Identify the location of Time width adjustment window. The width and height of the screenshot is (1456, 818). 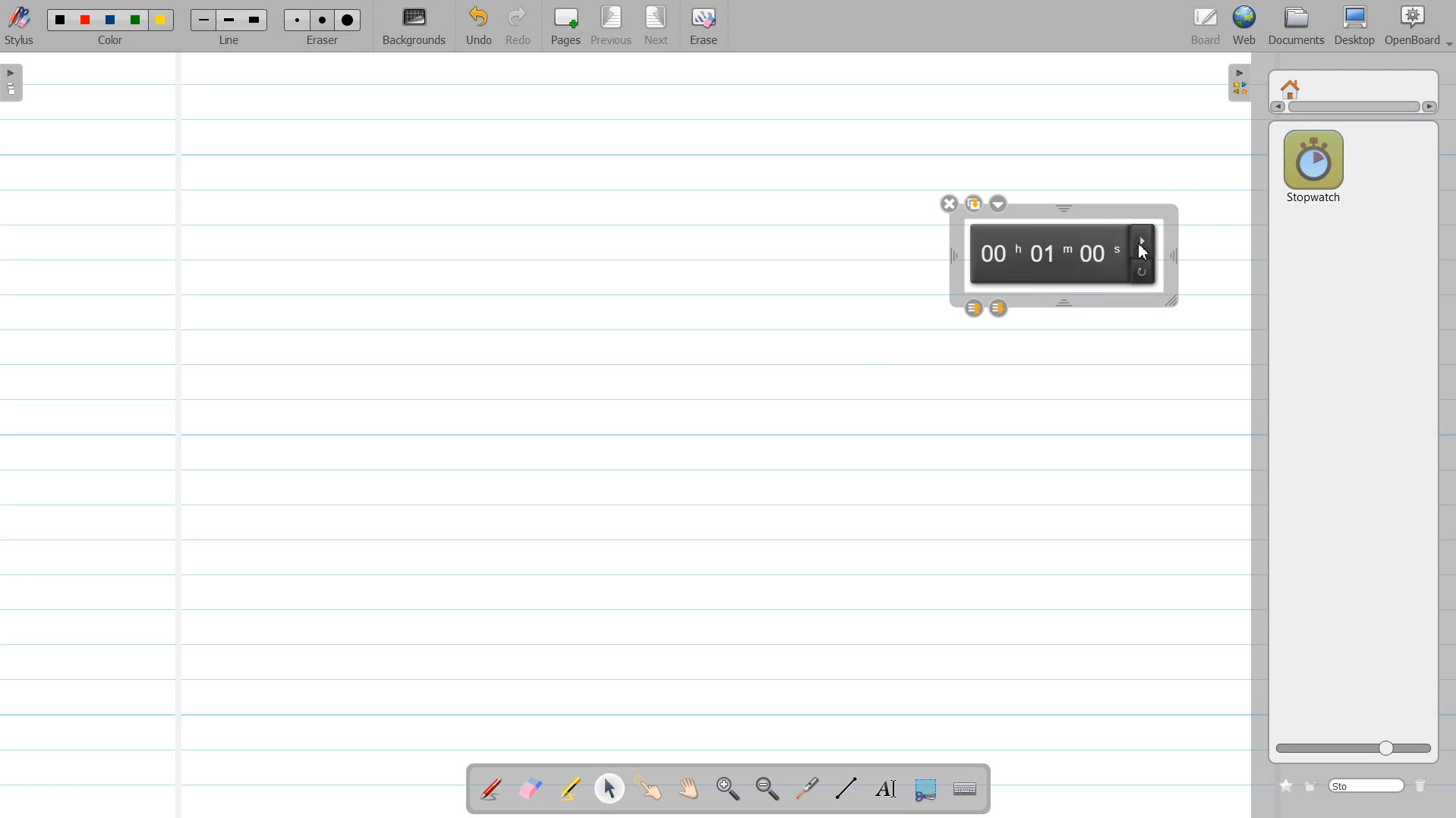
(1173, 256).